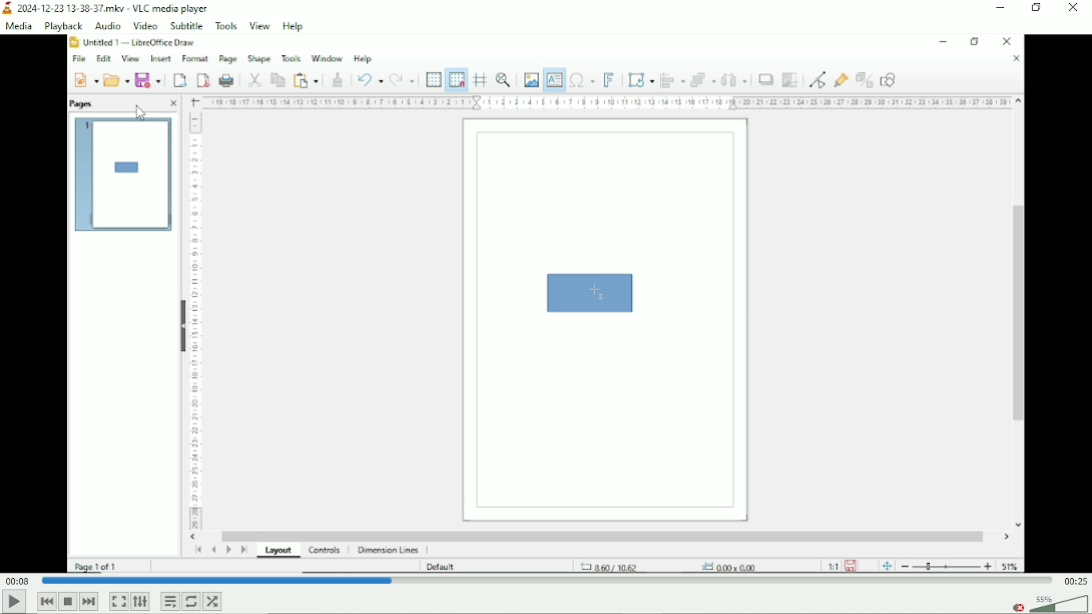 The width and height of the screenshot is (1092, 614). Describe the element at coordinates (141, 113) in the screenshot. I see `Cursor` at that location.